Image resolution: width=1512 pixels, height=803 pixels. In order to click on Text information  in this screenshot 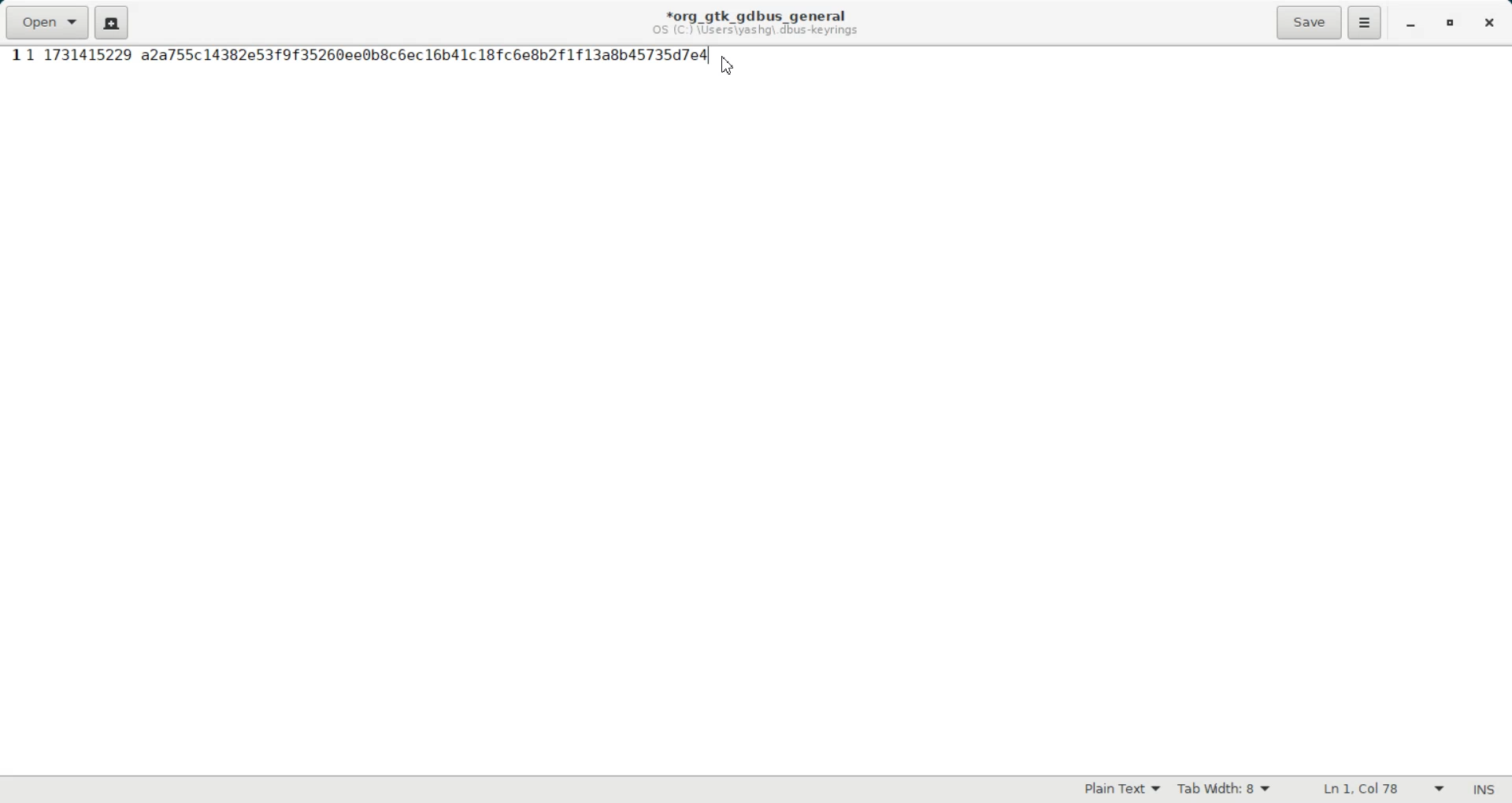, I will do `click(755, 22)`.